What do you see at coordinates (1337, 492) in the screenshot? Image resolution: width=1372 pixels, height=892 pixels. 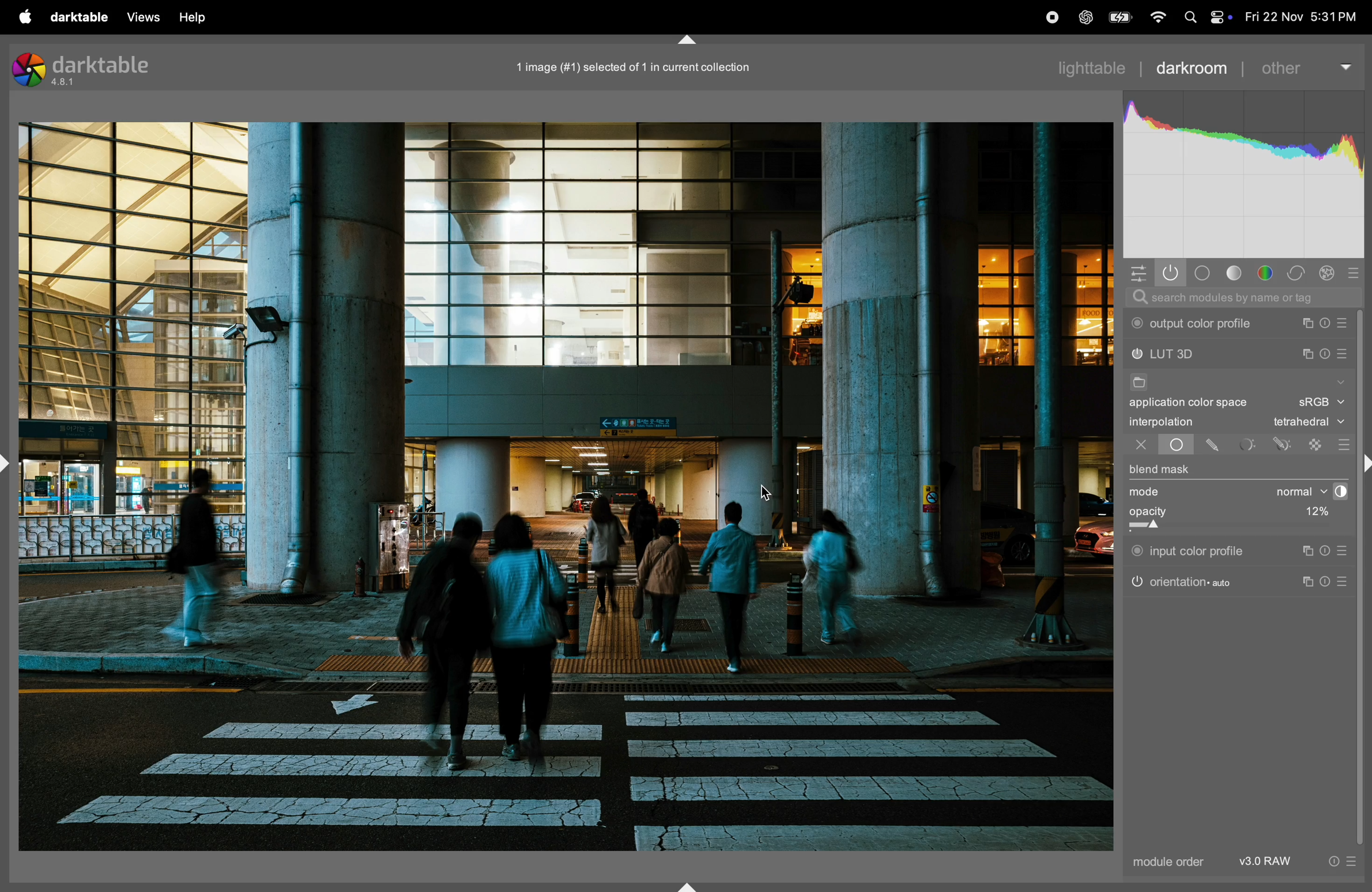 I see `contrast` at bounding box center [1337, 492].